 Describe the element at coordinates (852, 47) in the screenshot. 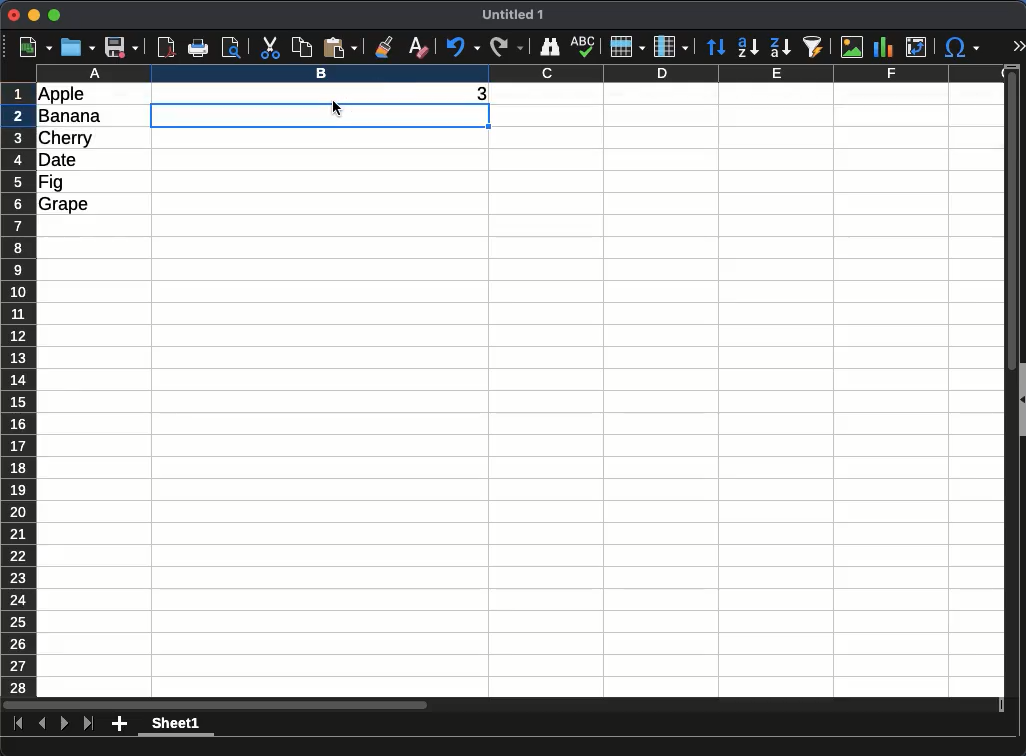

I see `image` at that location.